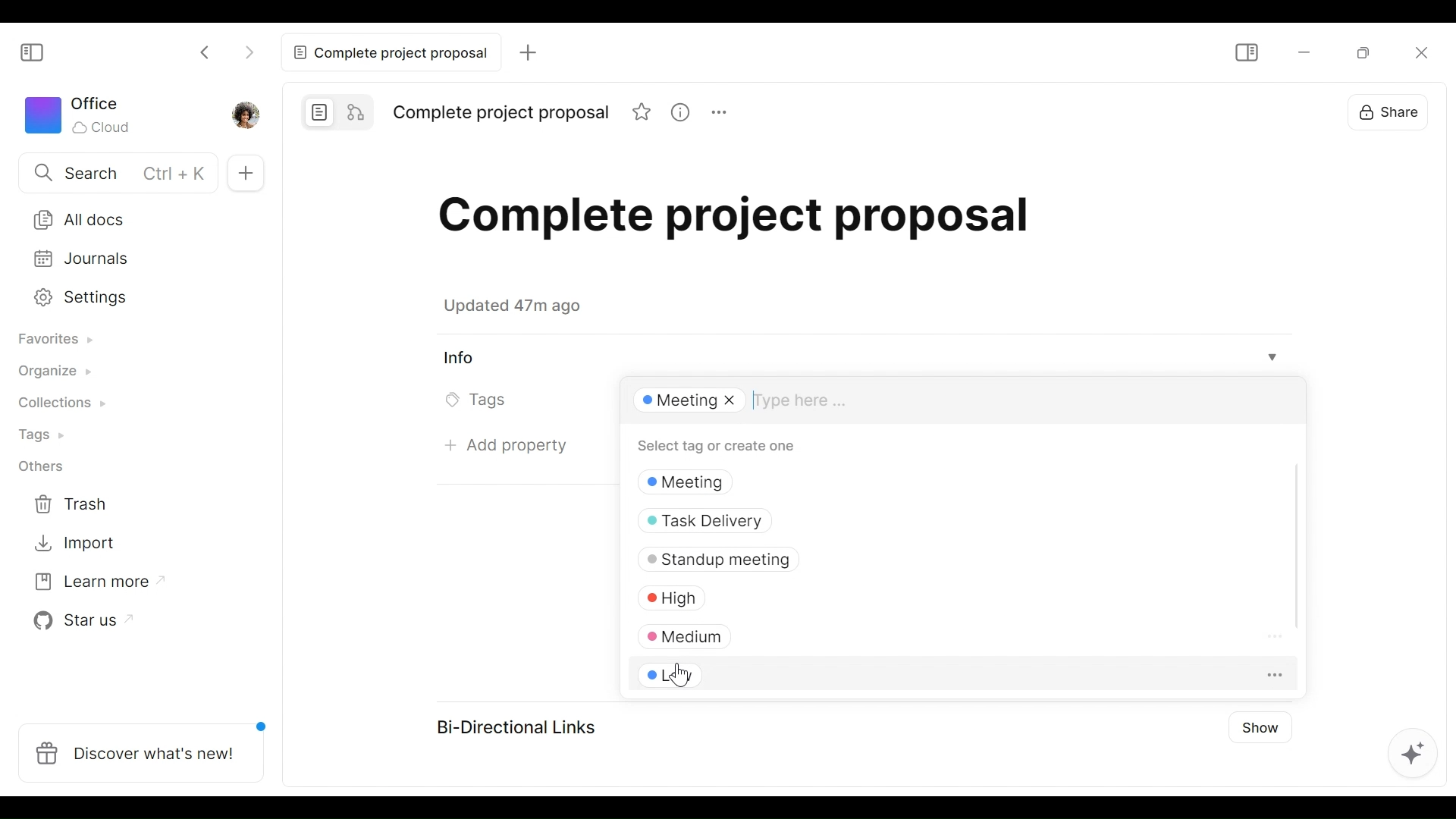 The height and width of the screenshot is (819, 1456). I want to click on Collections, so click(64, 405).